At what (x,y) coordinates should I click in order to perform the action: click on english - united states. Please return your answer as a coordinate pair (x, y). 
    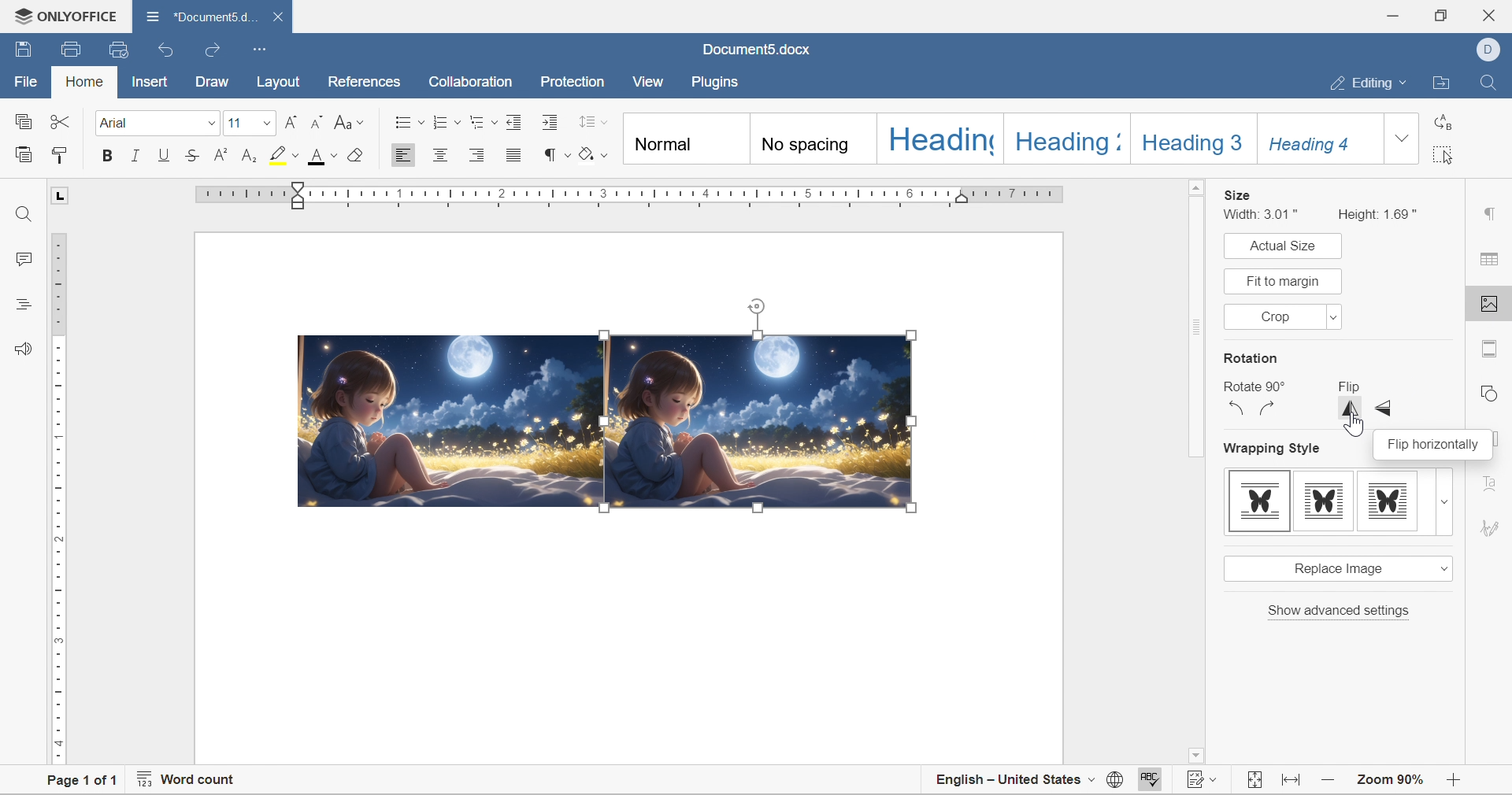
    Looking at the image, I should click on (1014, 779).